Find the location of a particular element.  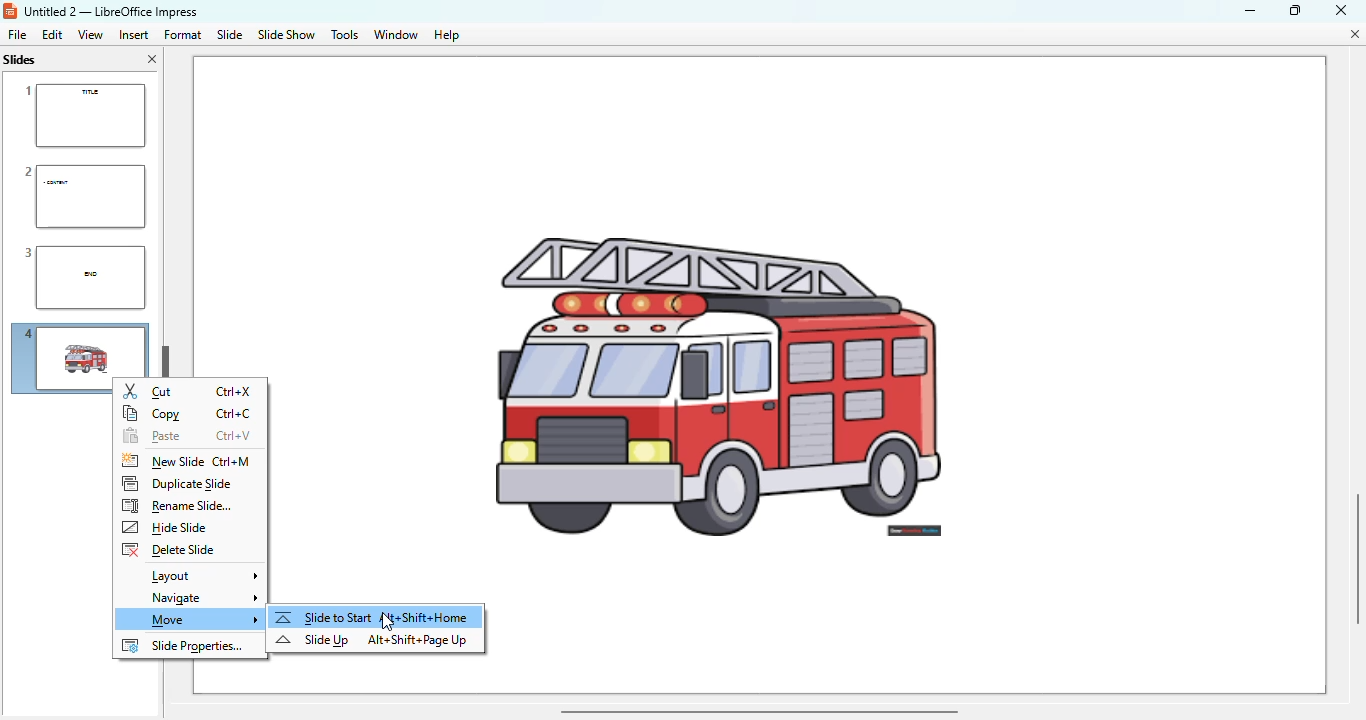

horizontal scroll bar is located at coordinates (758, 710).